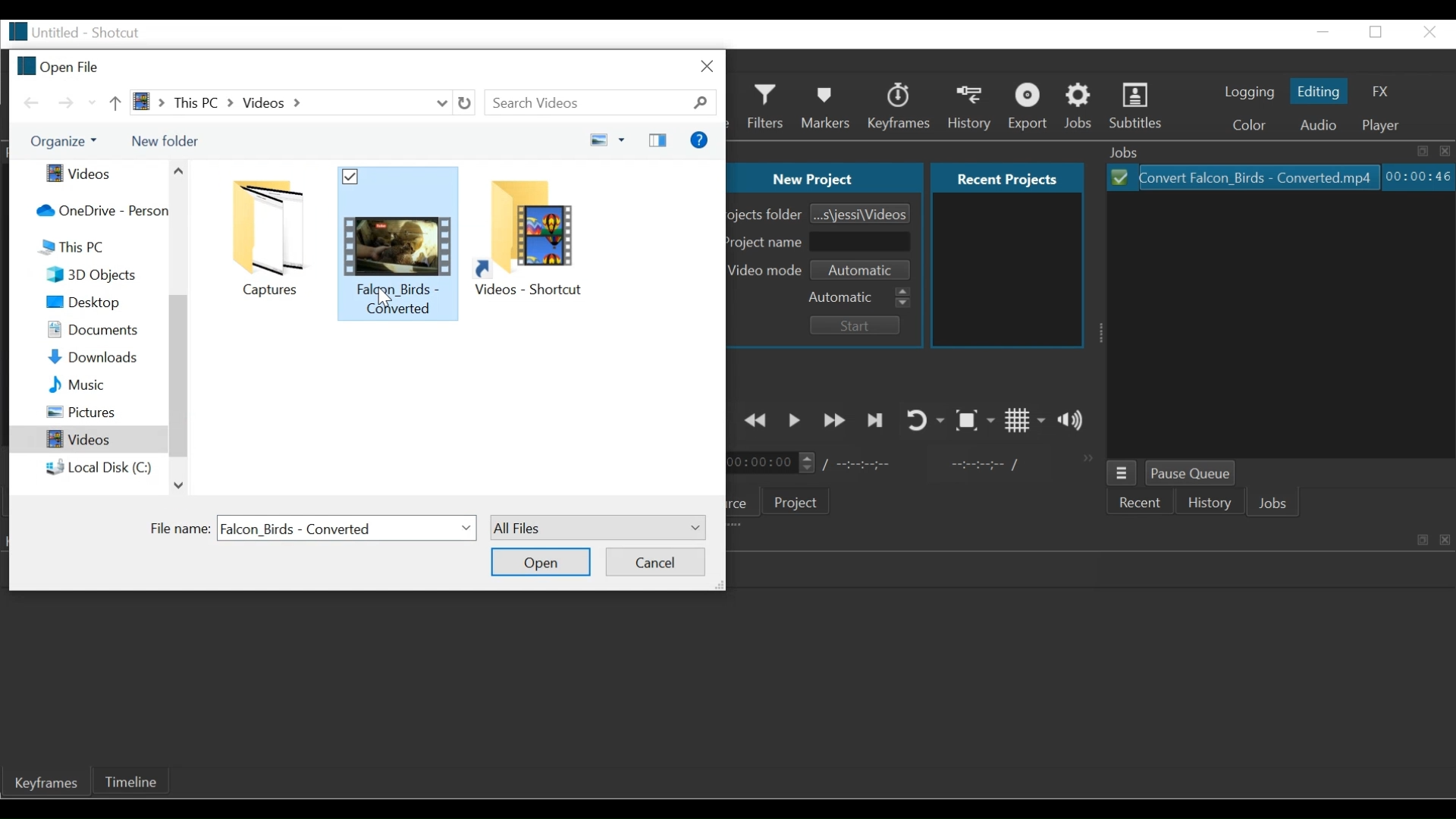 The image size is (1456, 819). What do you see at coordinates (862, 243) in the screenshot?
I see `Project Name Field` at bounding box center [862, 243].